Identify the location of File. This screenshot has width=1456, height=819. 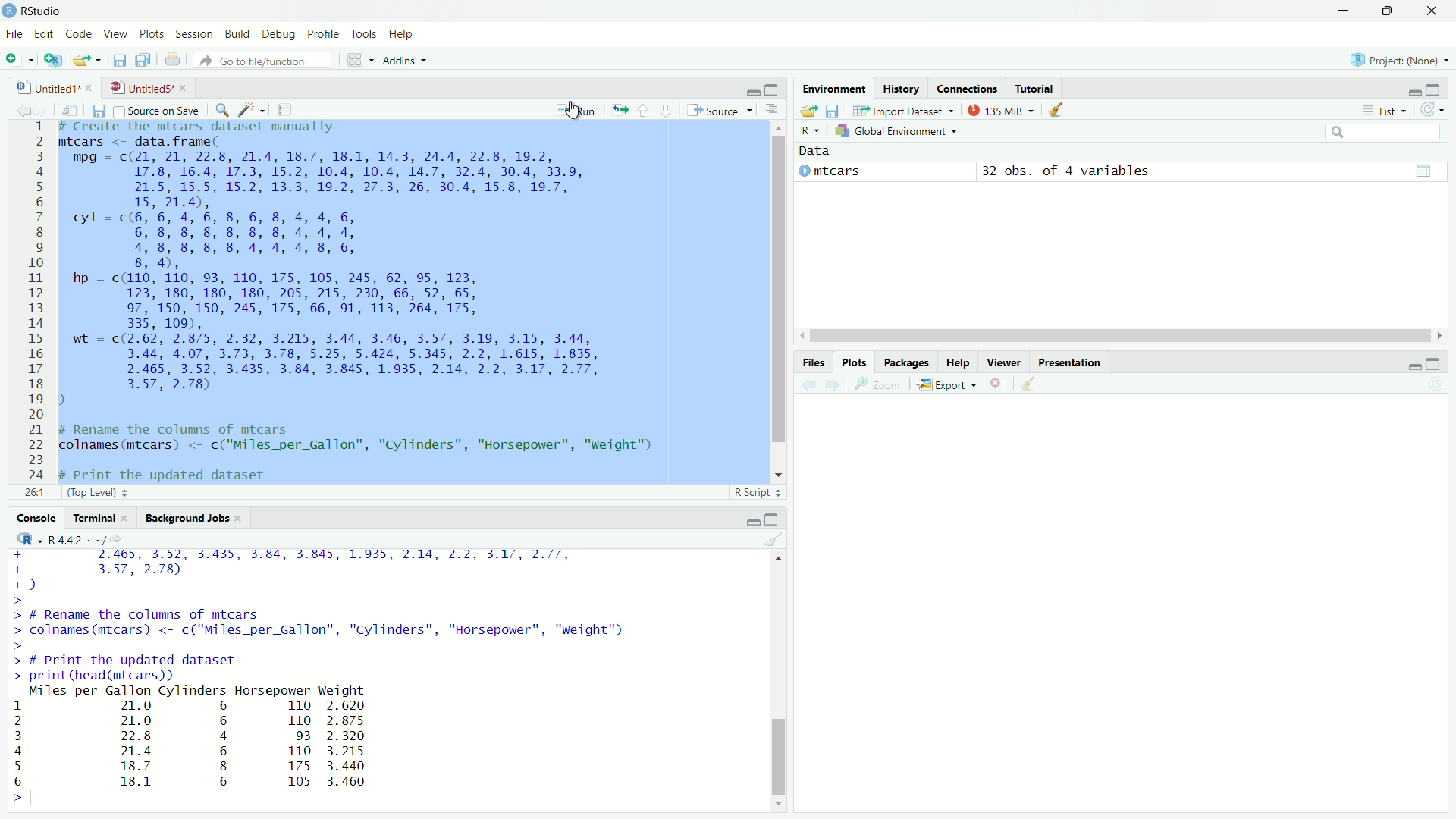
(14, 33).